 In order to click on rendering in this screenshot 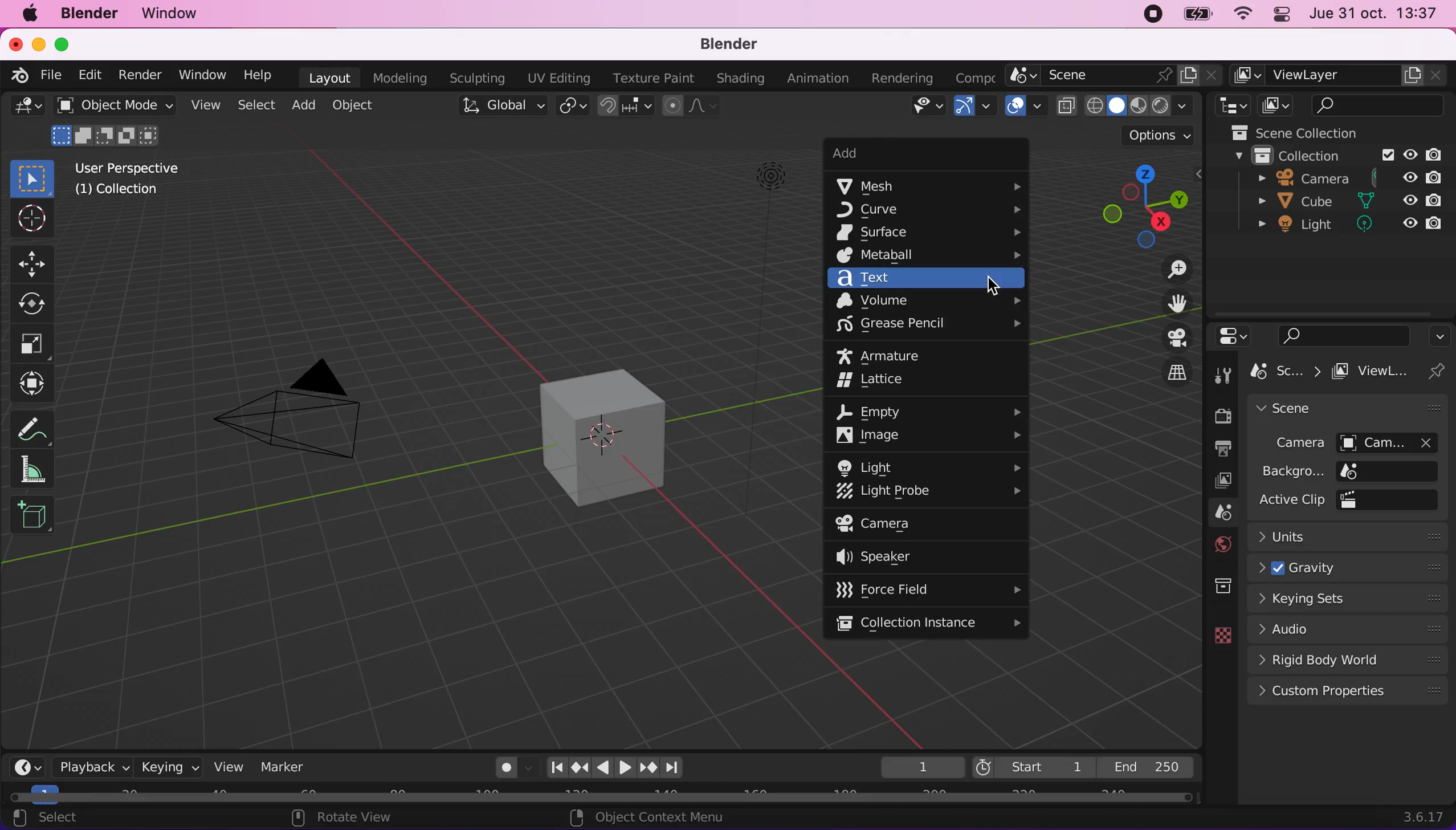, I will do `click(906, 76)`.